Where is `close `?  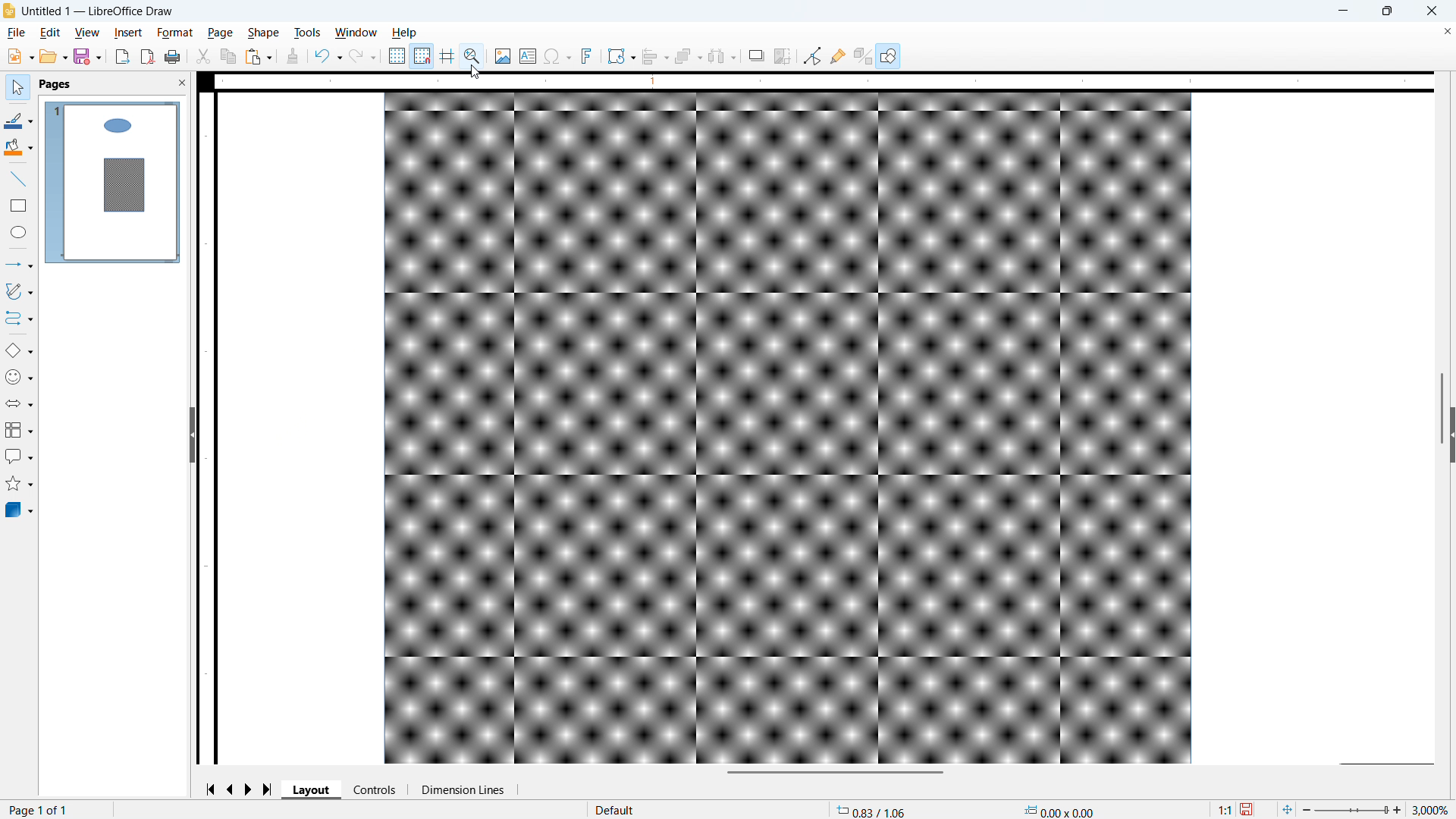
close  is located at coordinates (1430, 11).